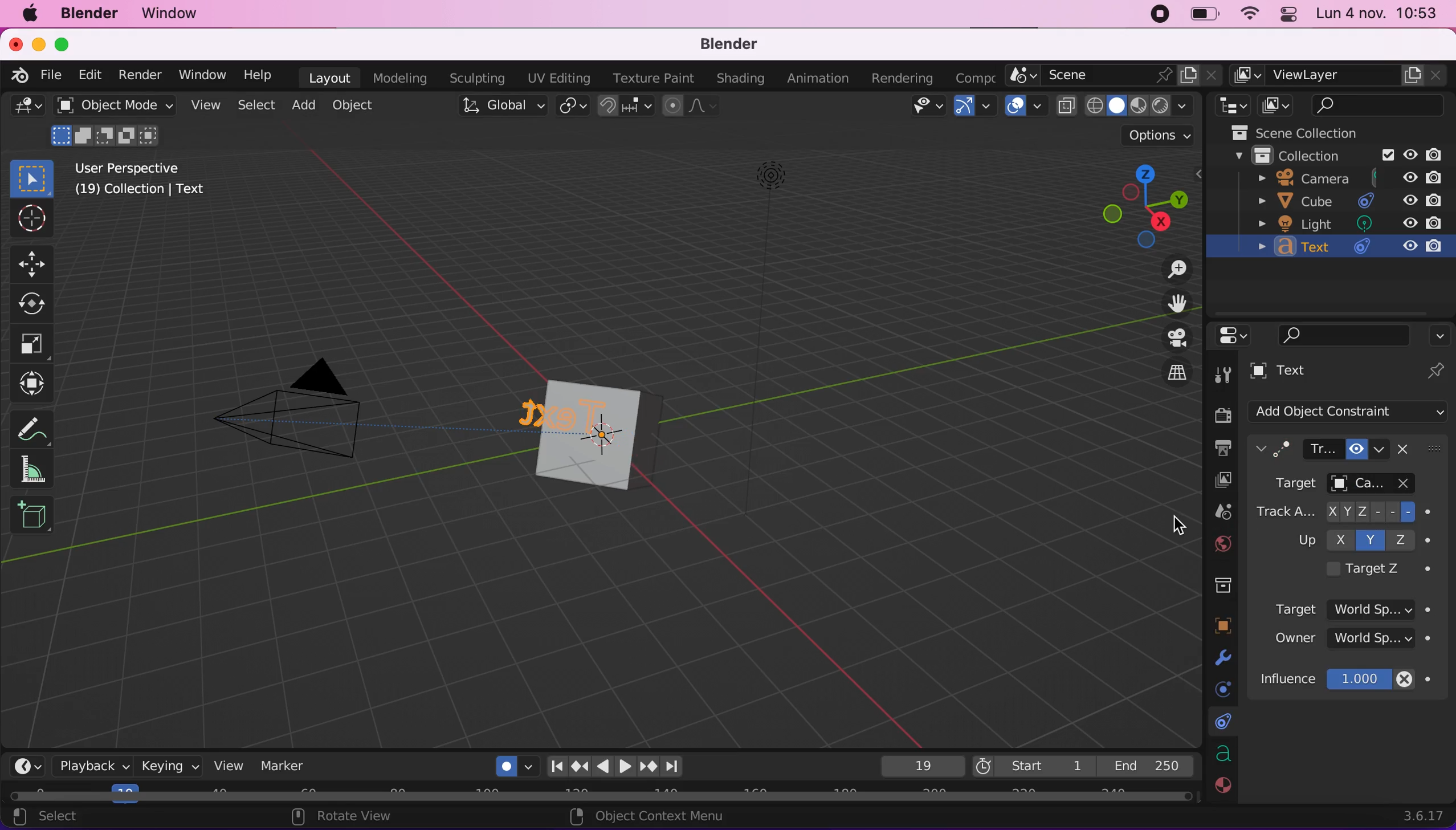 Image resolution: width=1456 pixels, height=830 pixels. What do you see at coordinates (1250, 15) in the screenshot?
I see `wifi` at bounding box center [1250, 15].